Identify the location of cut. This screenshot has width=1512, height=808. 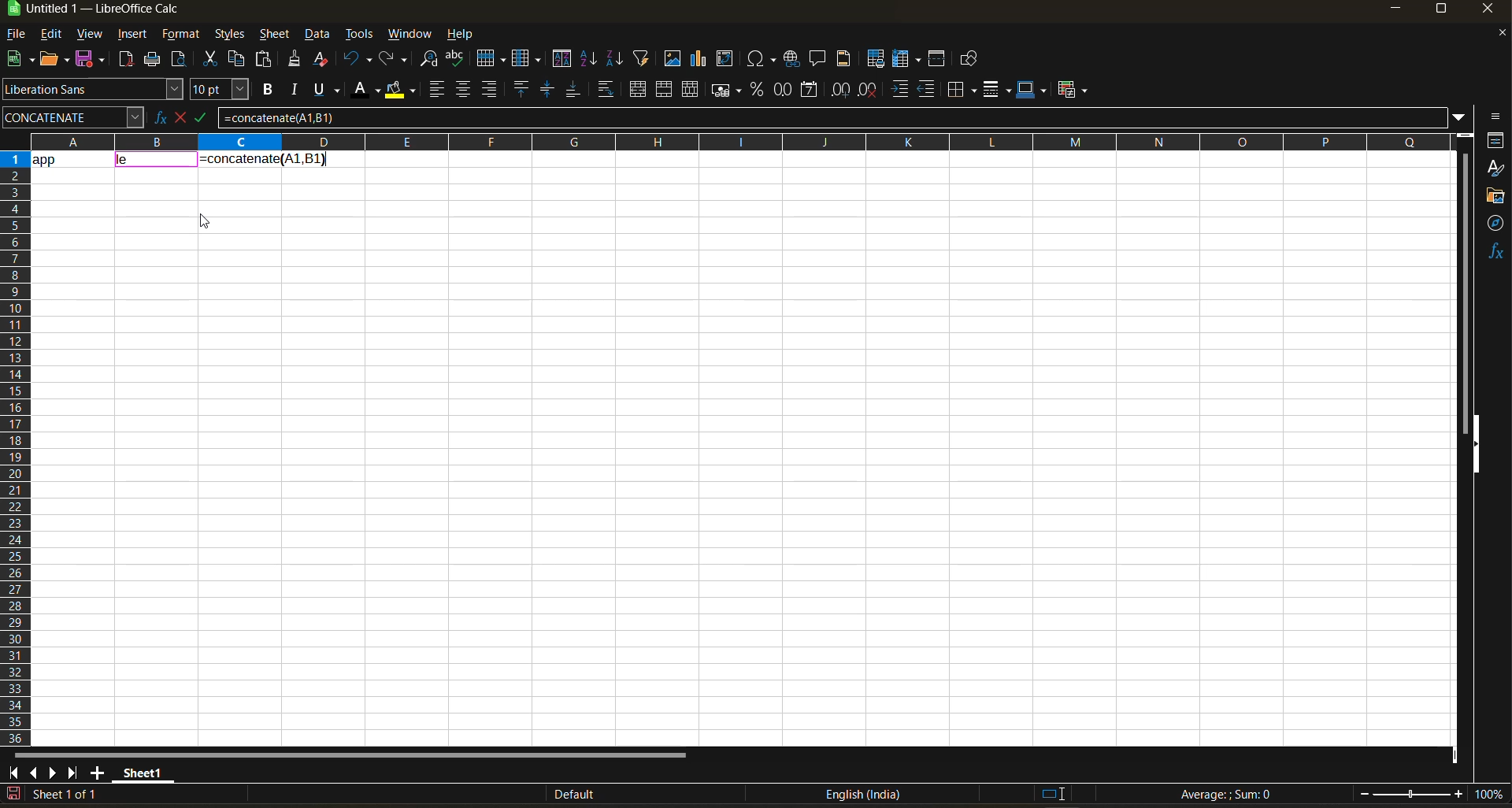
(213, 60).